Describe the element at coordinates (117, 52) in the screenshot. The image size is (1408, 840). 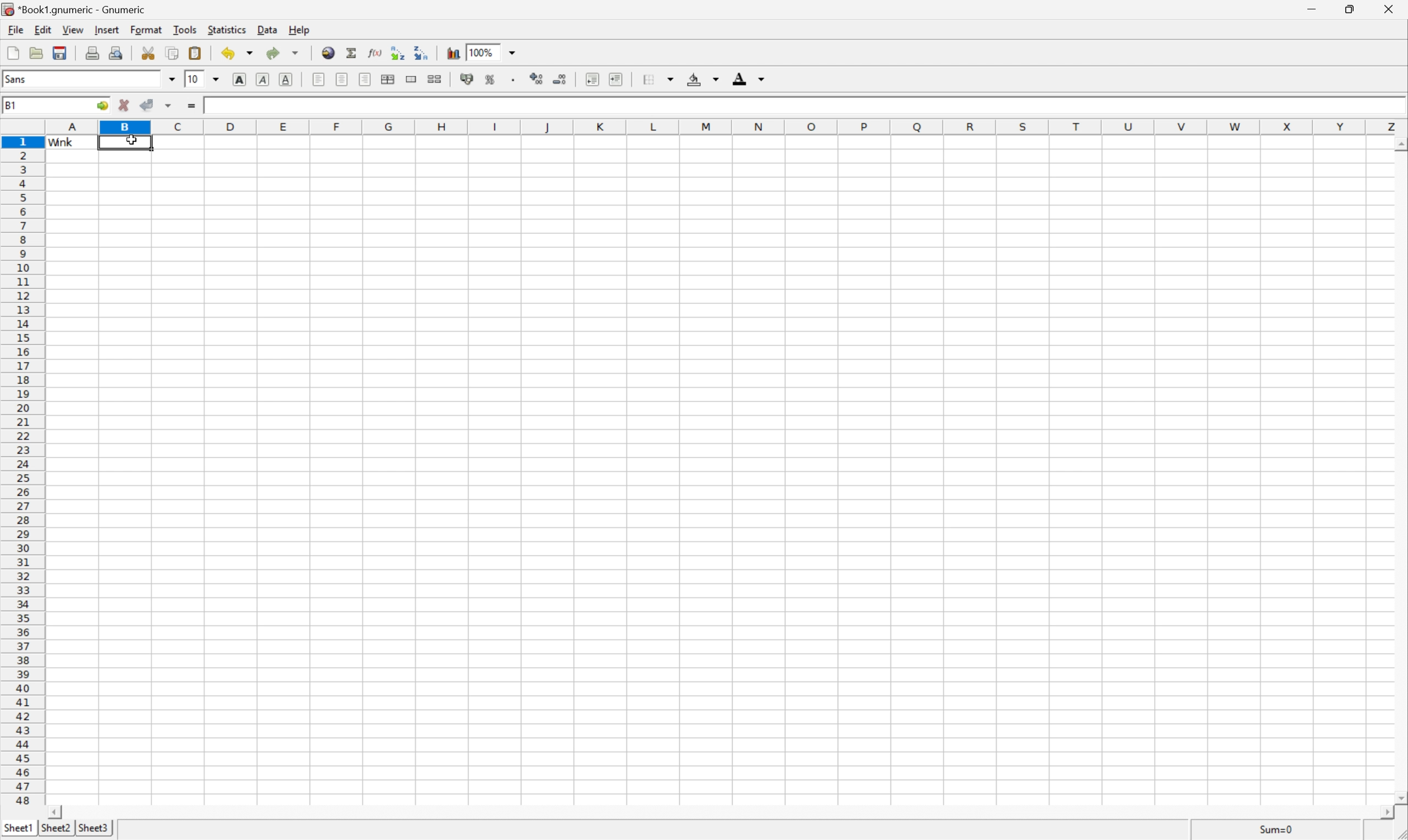
I see `print preview` at that location.